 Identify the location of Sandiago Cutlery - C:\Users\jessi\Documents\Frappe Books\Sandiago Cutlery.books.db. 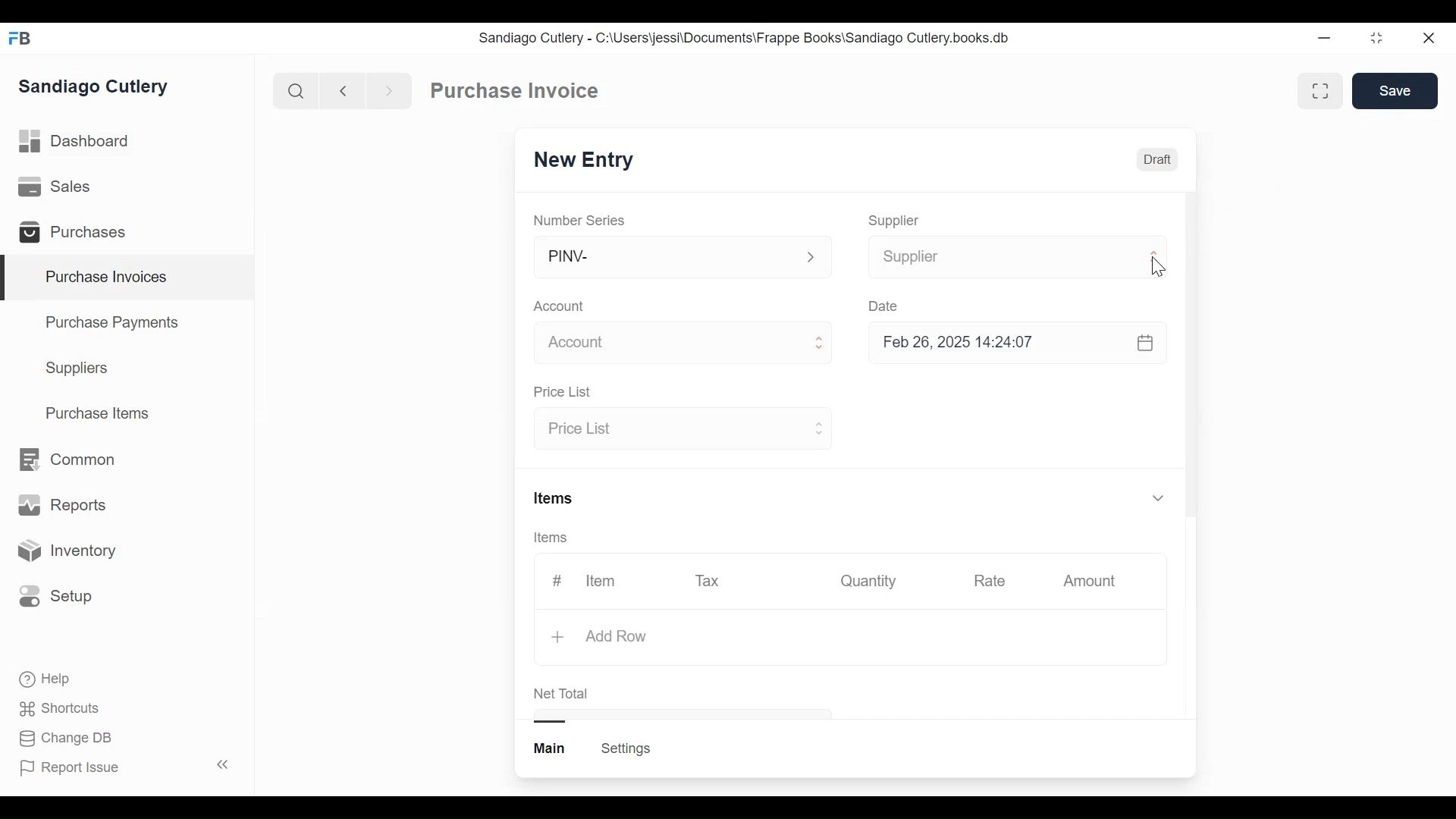
(745, 38).